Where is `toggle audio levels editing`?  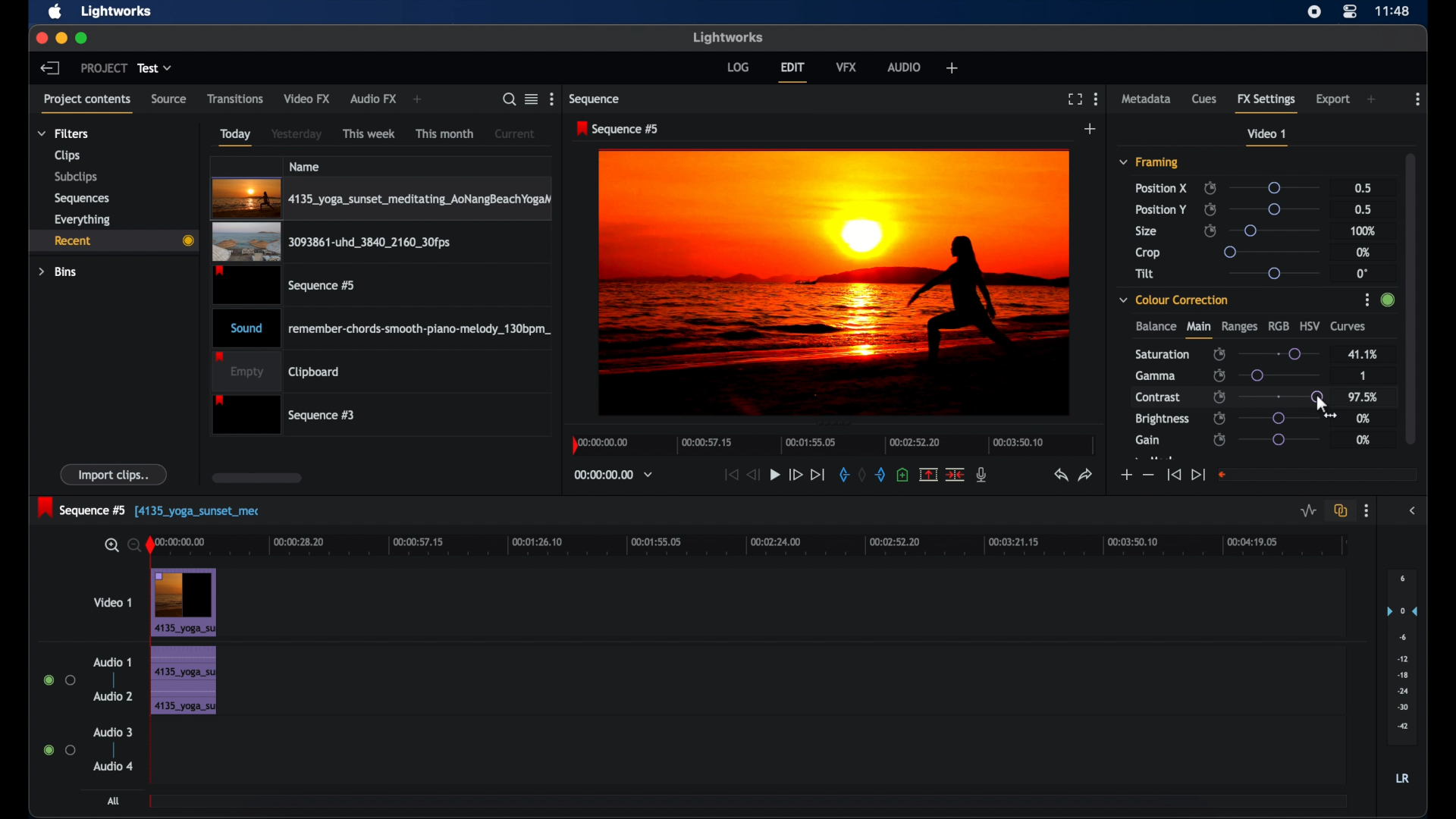 toggle audio levels editing is located at coordinates (1307, 510).